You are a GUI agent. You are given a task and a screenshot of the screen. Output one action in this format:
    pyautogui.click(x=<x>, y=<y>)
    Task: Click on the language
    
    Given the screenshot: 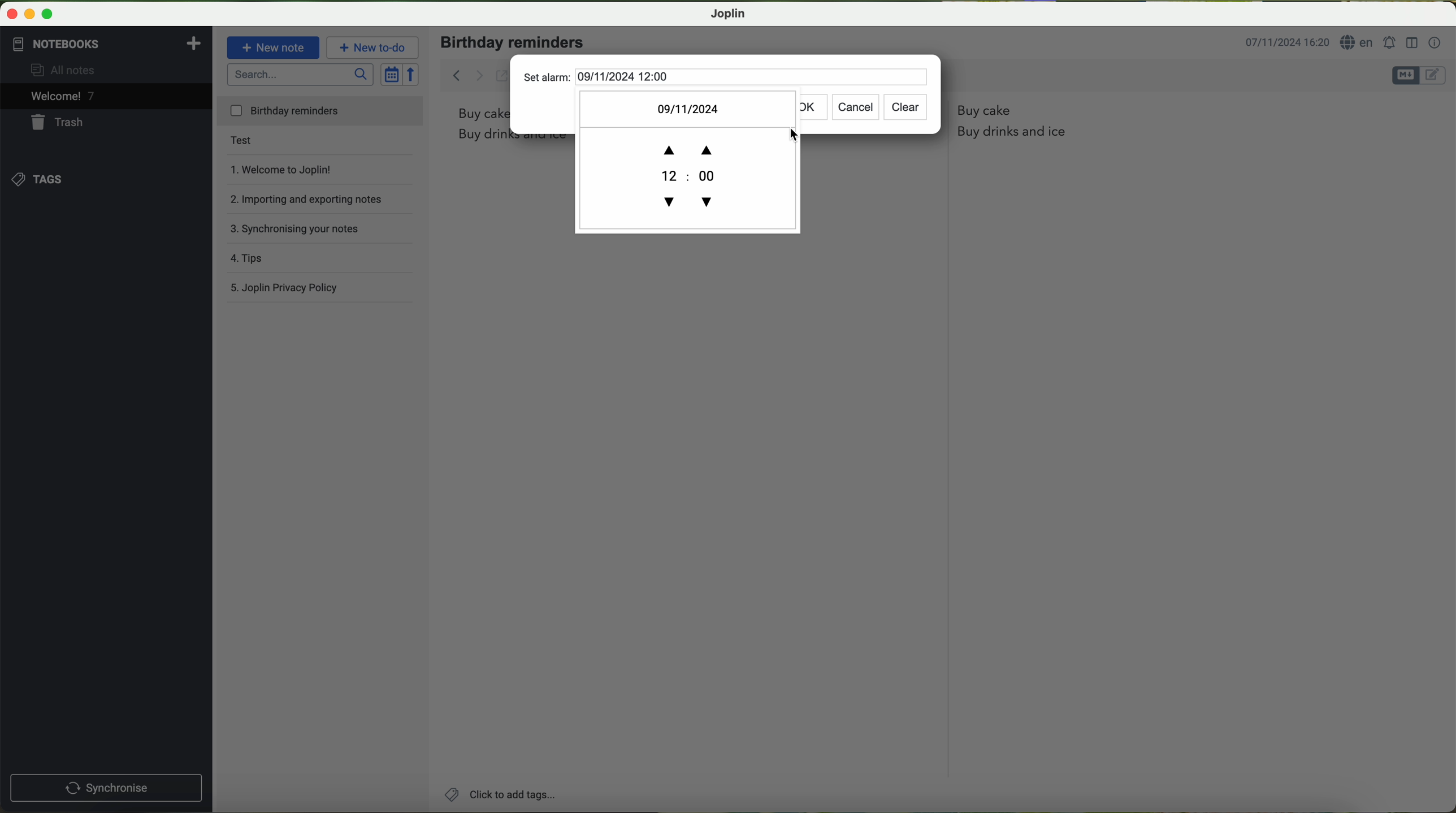 What is the action you would take?
    pyautogui.click(x=1359, y=44)
    